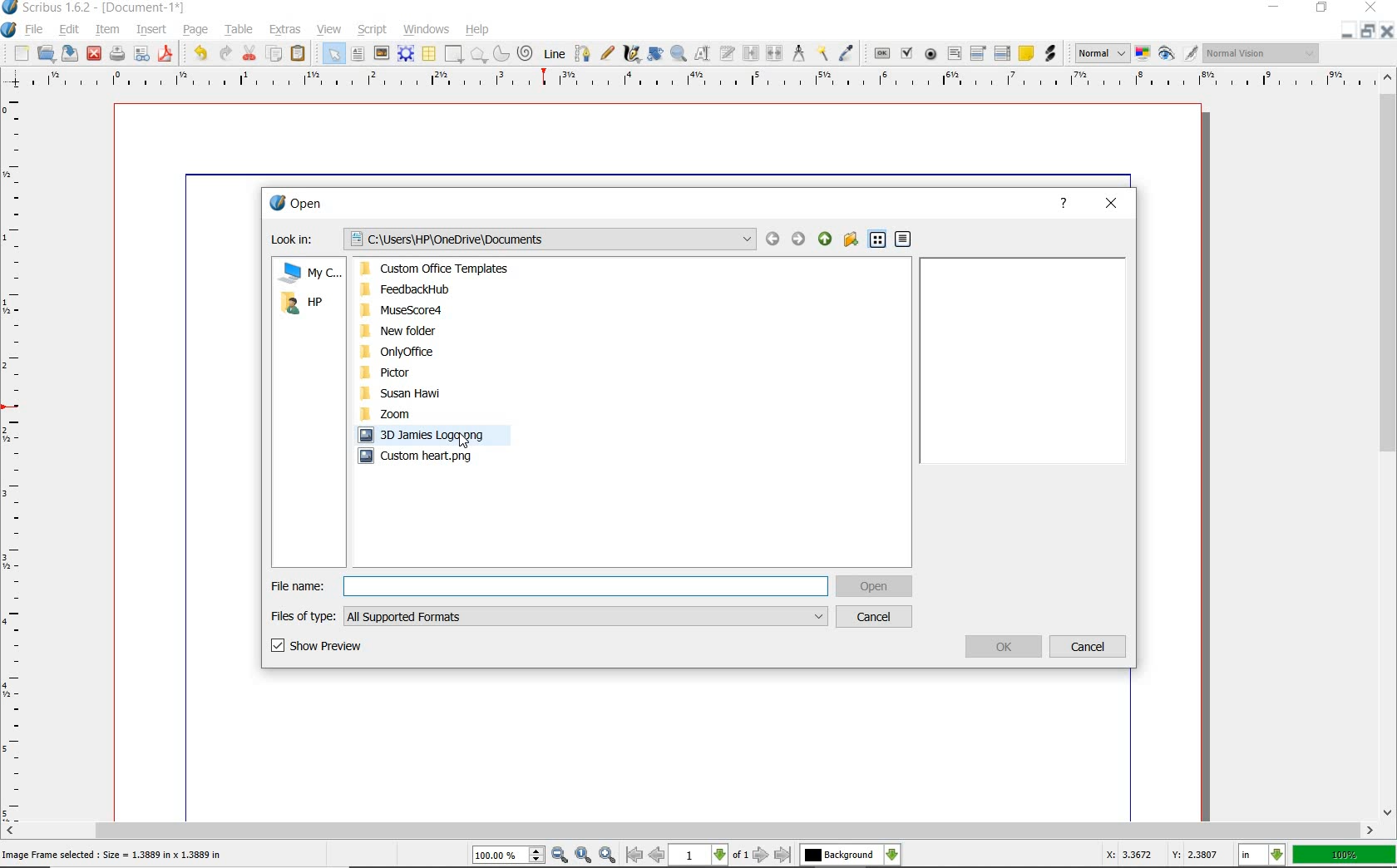  What do you see at coordinates (394, 413) in the screenshot?
I see `Zoom` at bounding box center [394, 413].